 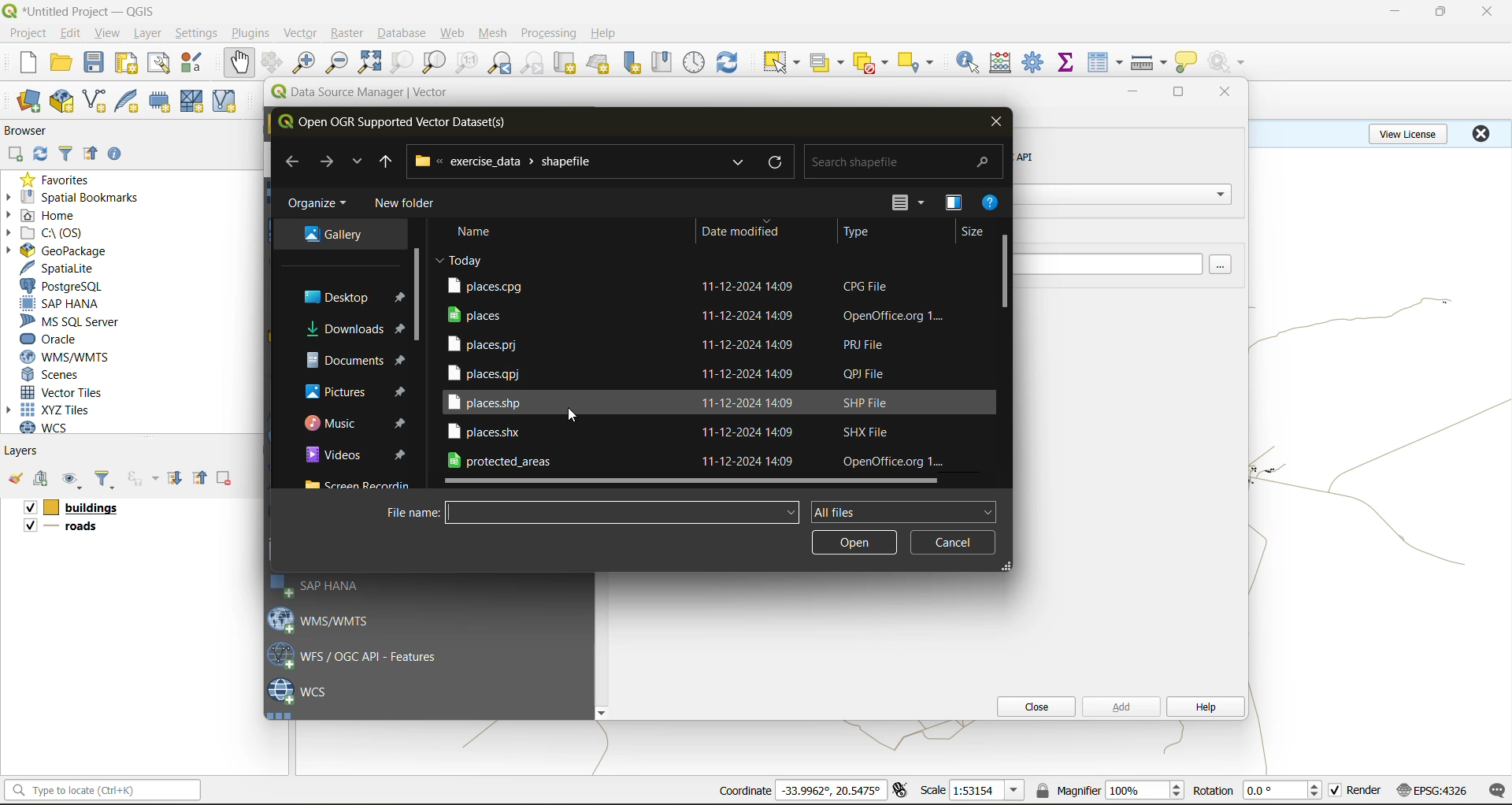 I want to click on layer, so click(x=145, y=34).